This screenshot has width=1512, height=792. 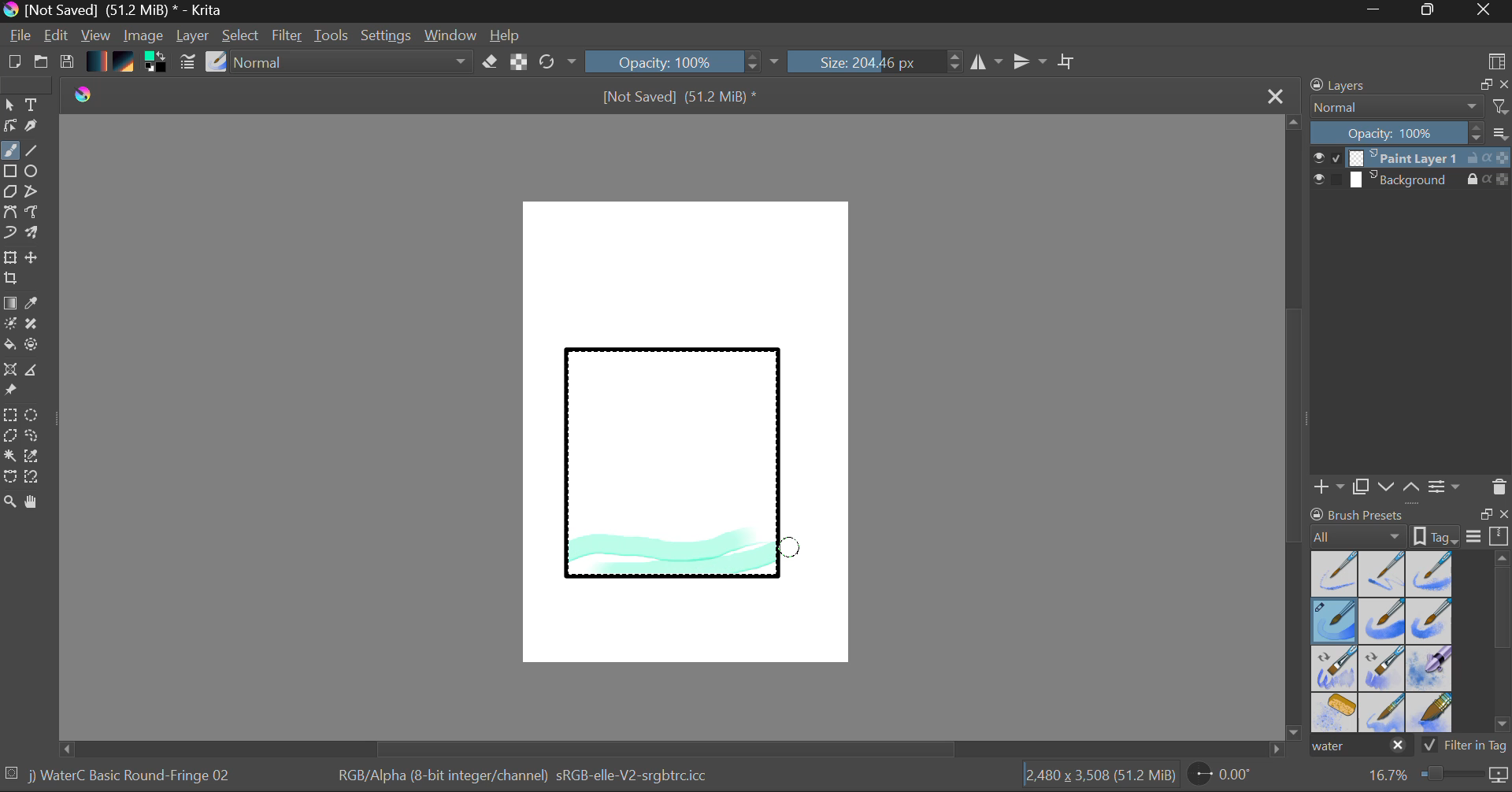 What do you see at coordinates (1362, 487) in the screenshot?
I see `Copy Layer` at bounding box center [1362, 487].